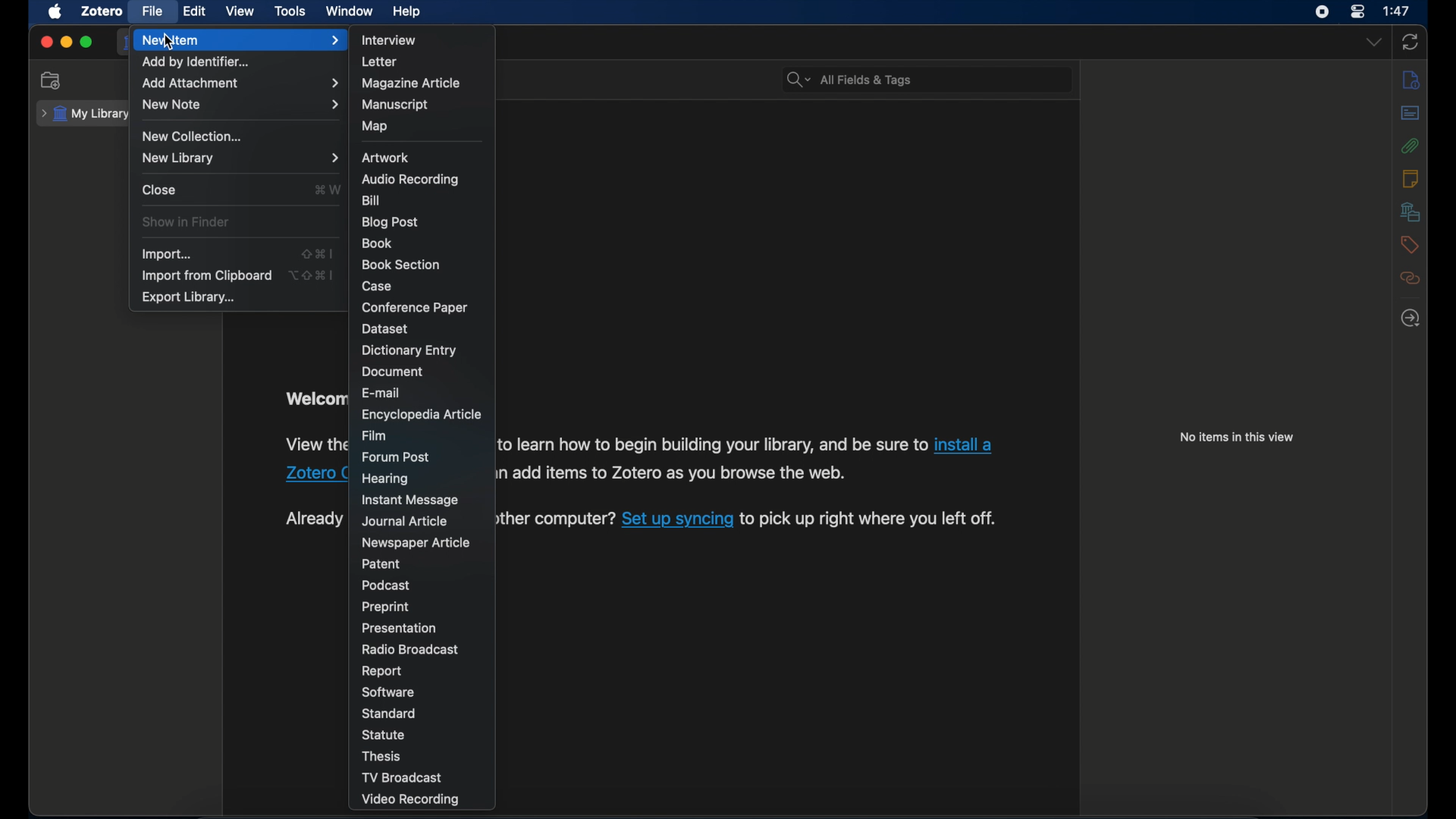  What do you see at coordinates (165, 255) in the screenshot?
I see `import` at bounding box center [165, 255].